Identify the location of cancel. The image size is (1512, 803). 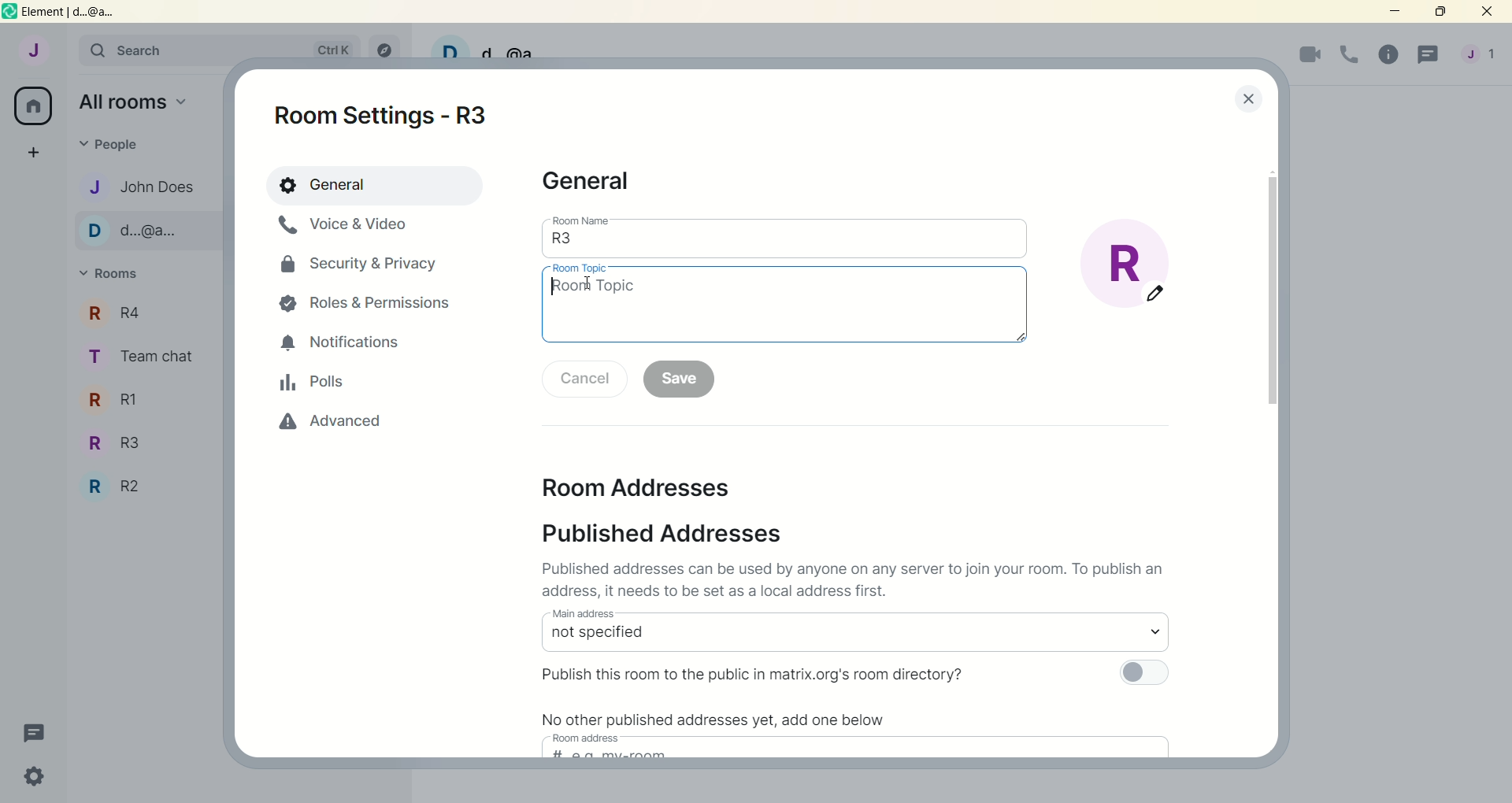
(584, 378).